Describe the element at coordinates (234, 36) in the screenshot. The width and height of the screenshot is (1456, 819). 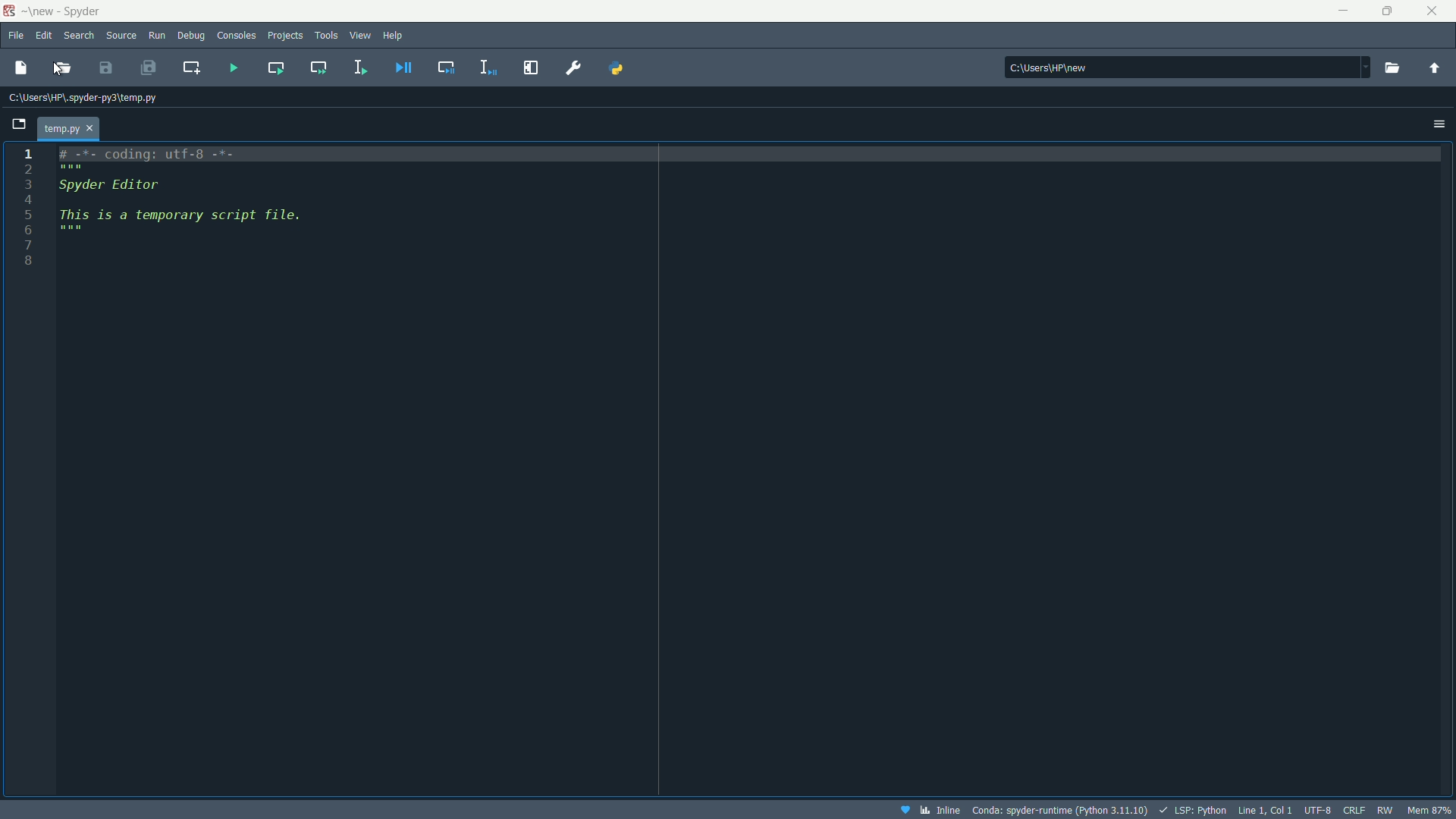
I see `Consoles menu` at that location.